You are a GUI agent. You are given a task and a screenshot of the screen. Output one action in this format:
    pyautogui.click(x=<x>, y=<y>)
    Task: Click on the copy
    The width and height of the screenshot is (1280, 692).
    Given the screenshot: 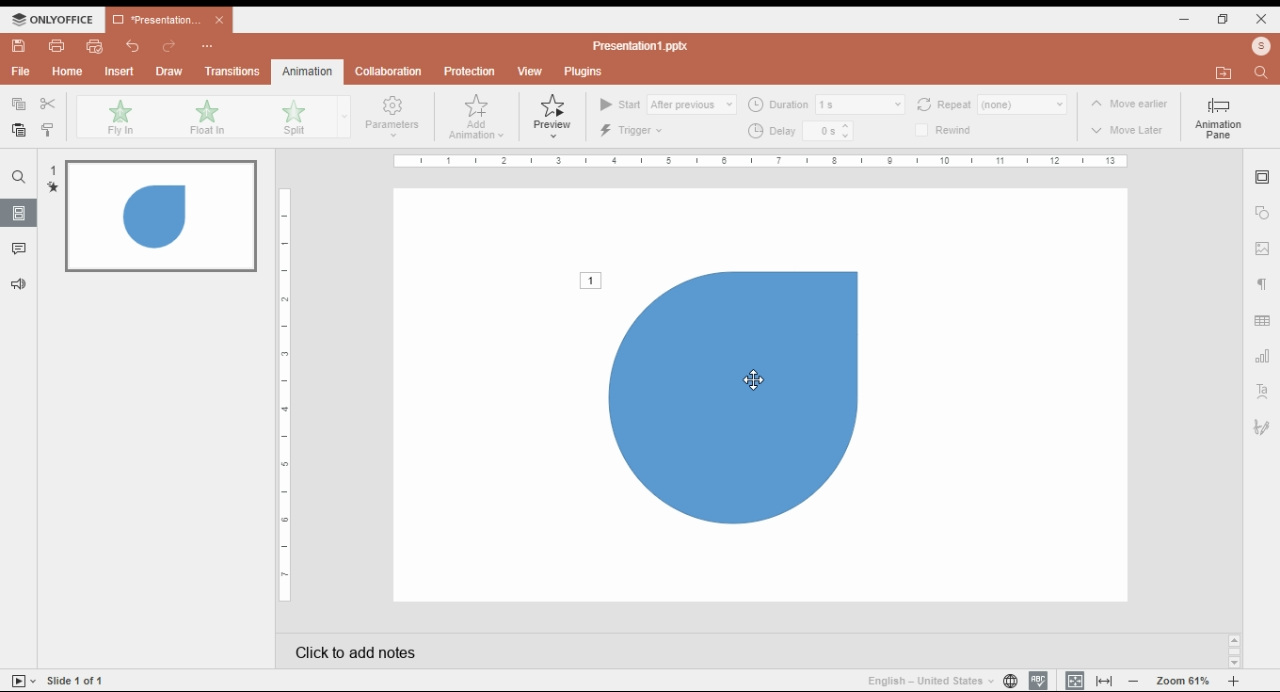 What is the action you would take?
    pyautogui.click(x=19, y=105)
    